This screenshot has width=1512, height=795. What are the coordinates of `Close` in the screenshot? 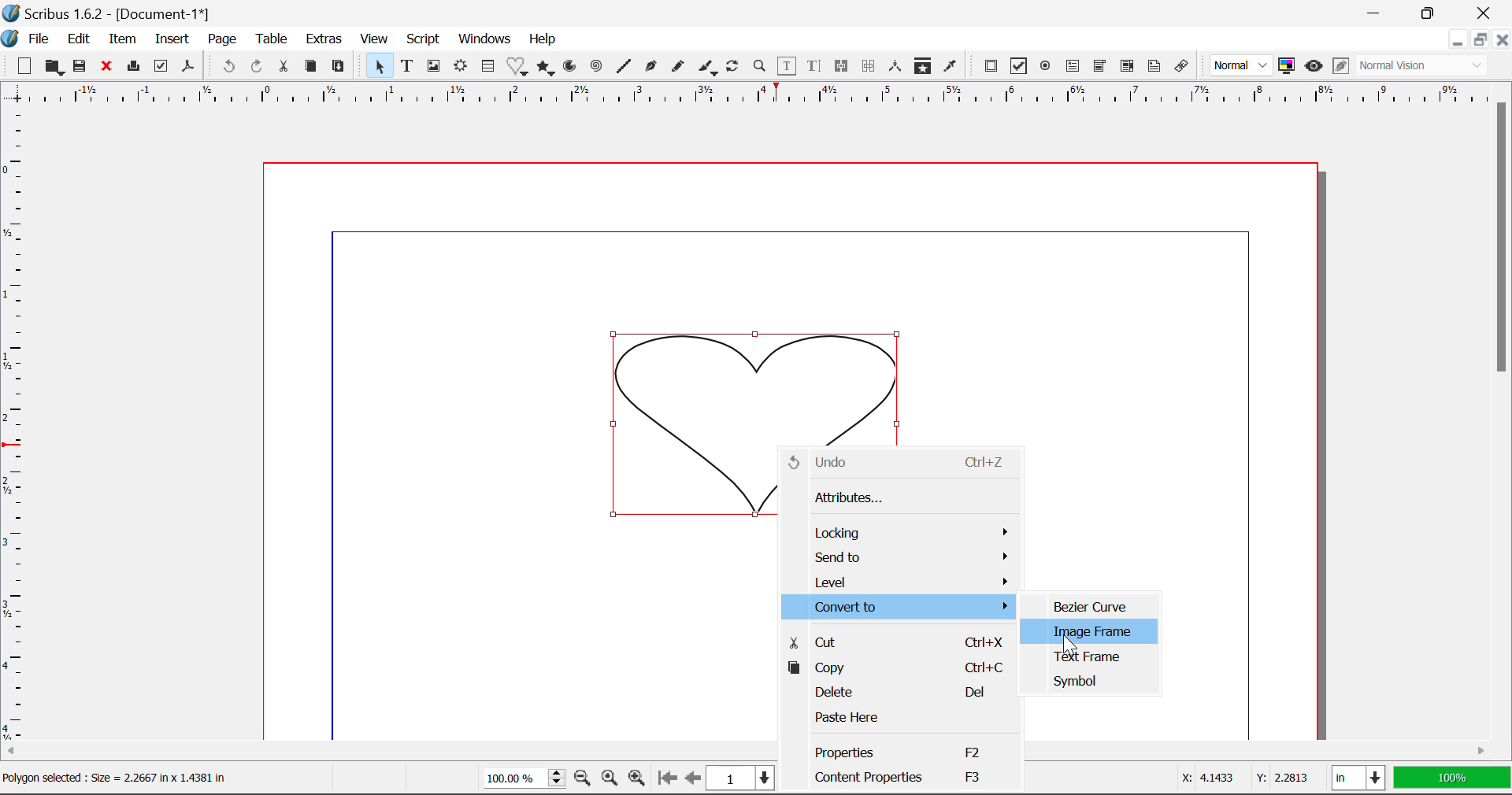 It's located at (1488, 13).